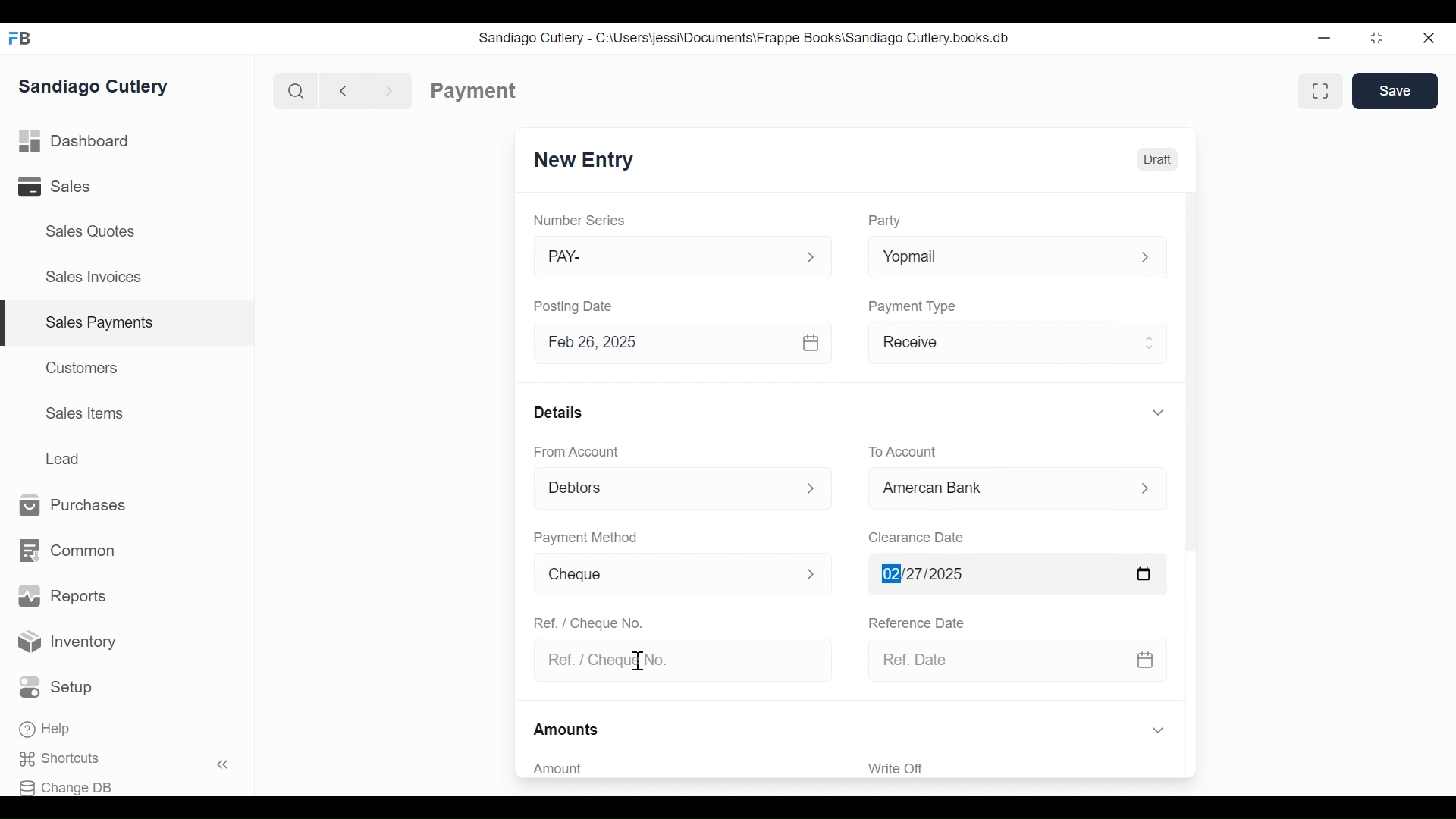 The width and height of the screenshot is (1456, 819). Describe the element at coordinates (65, 187) in the screenshot. I see `Sales` at that location.